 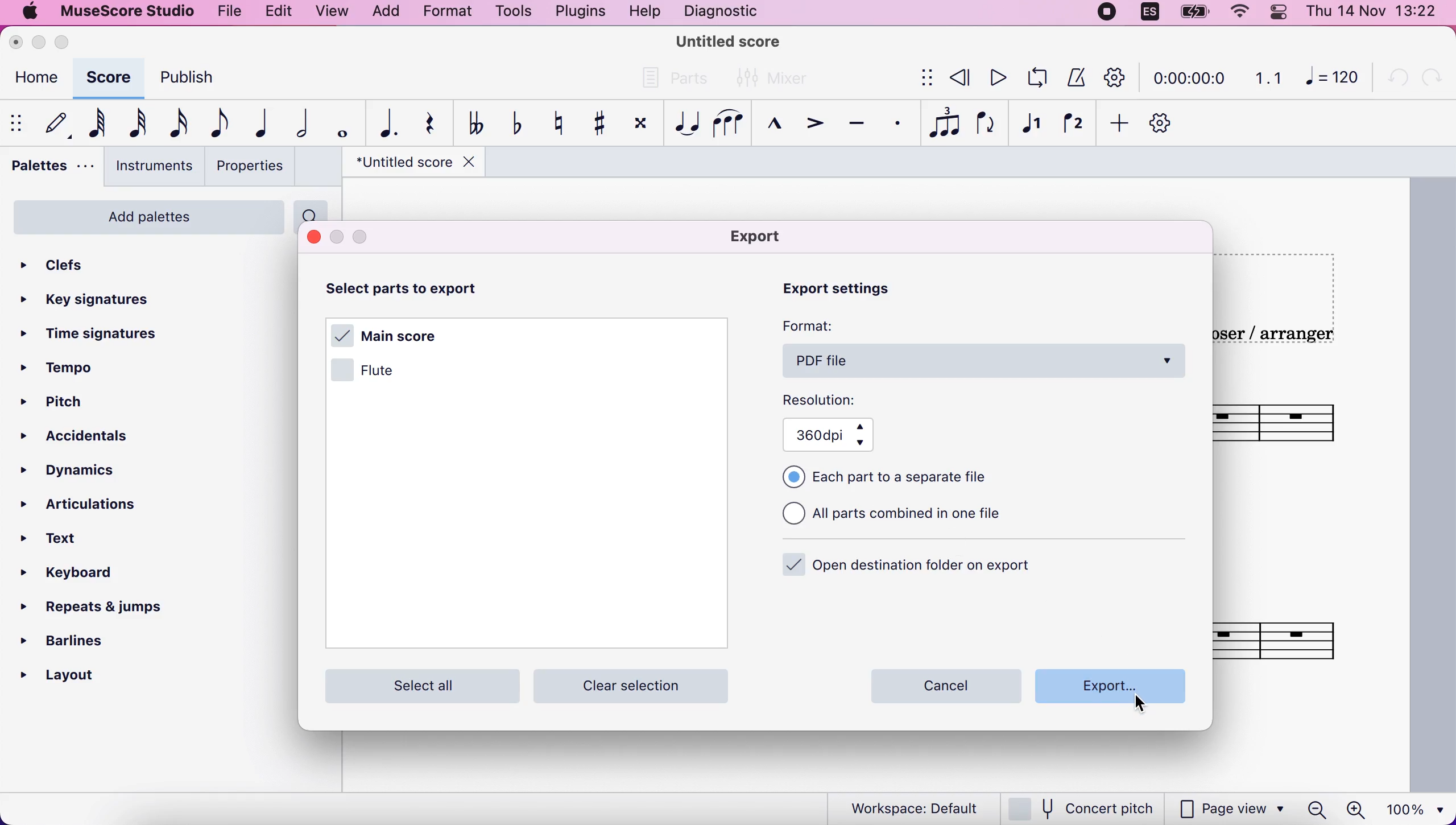 I want to click on title, so click(x=414, y=164).